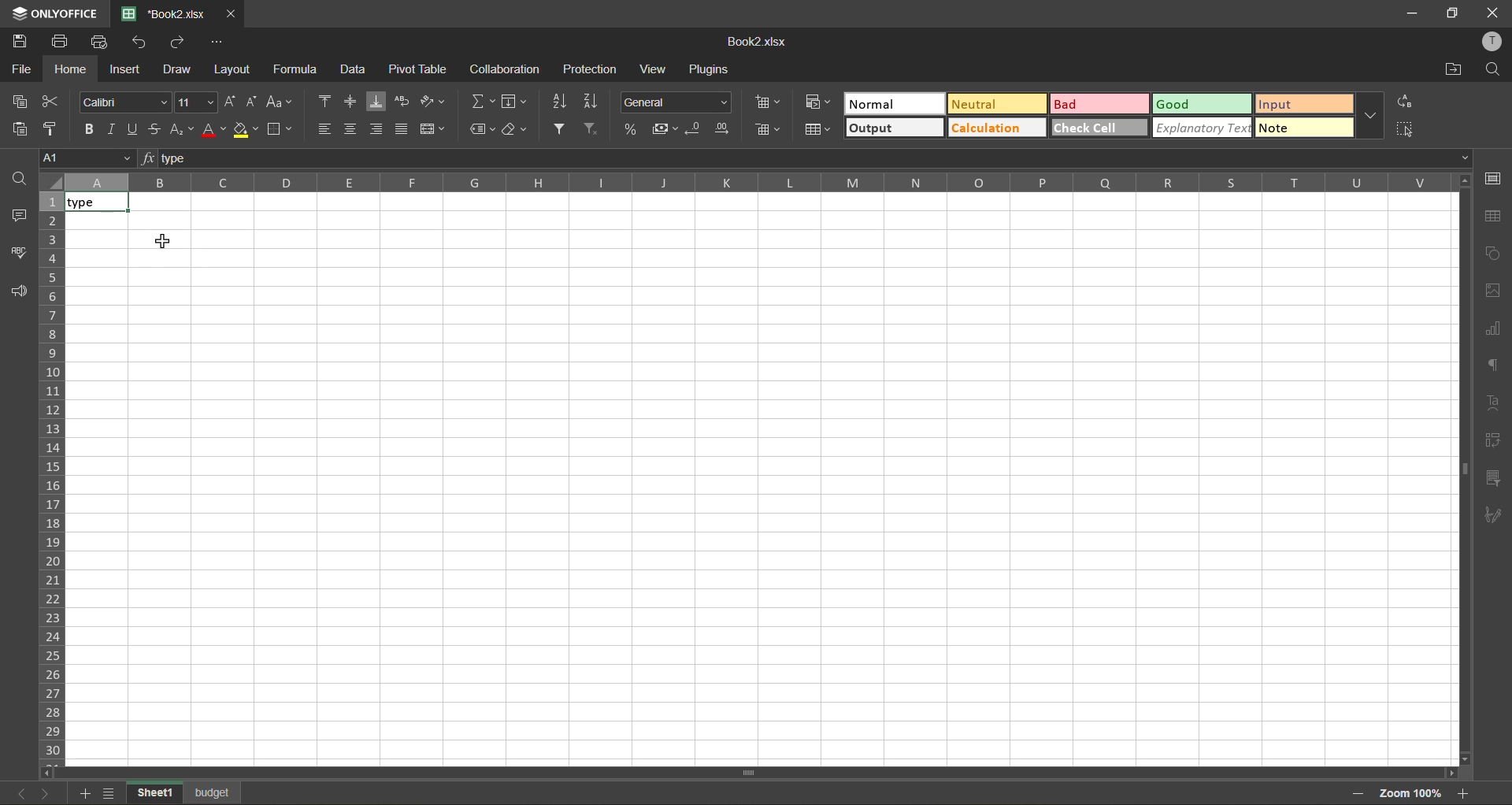 This screenshot has height=805, width=1512. I want to click on orientation, so click(429, 100).